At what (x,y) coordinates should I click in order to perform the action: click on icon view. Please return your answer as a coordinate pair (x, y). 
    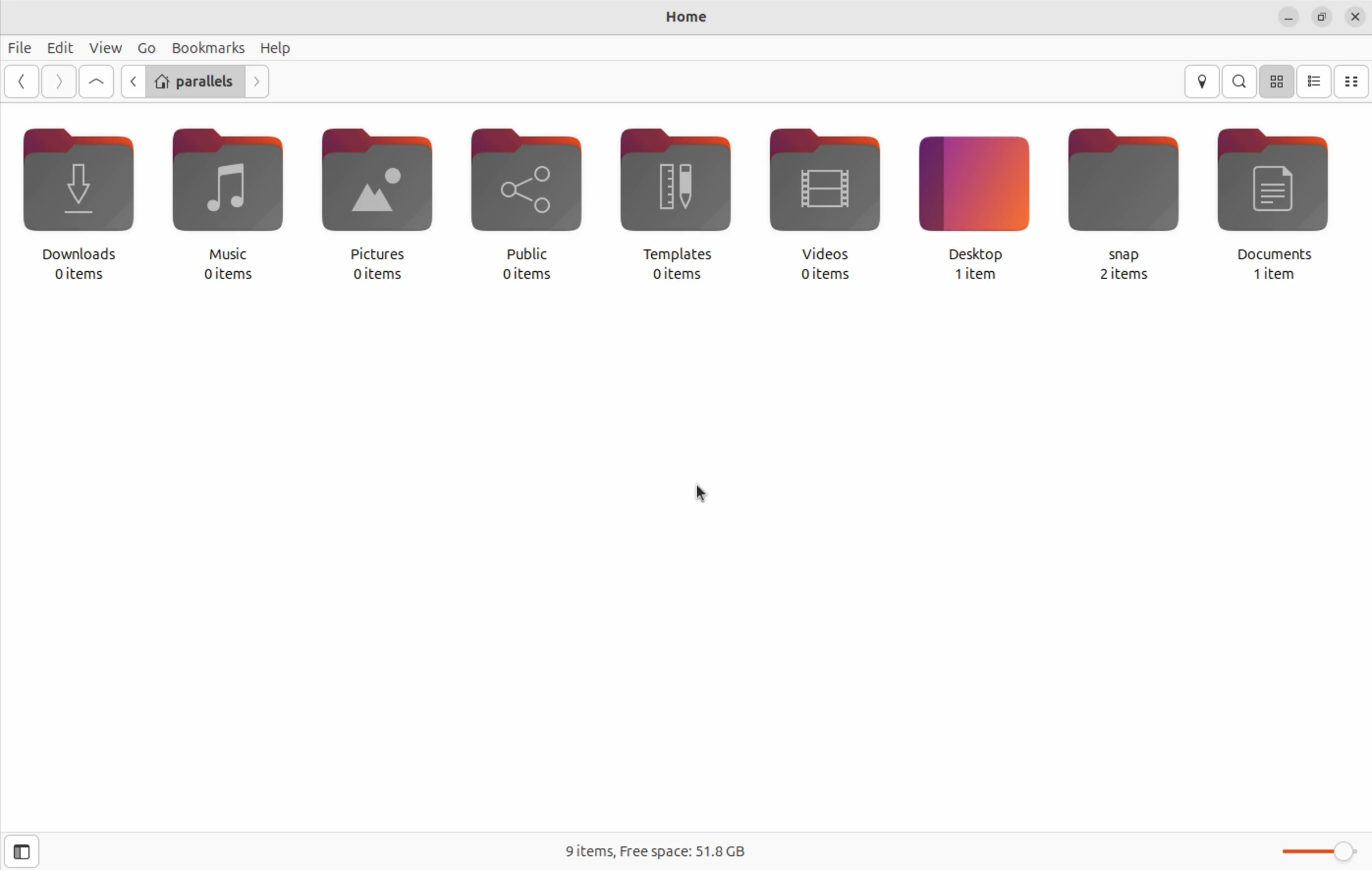
    Looking at the image, I should click on (1278, 80).